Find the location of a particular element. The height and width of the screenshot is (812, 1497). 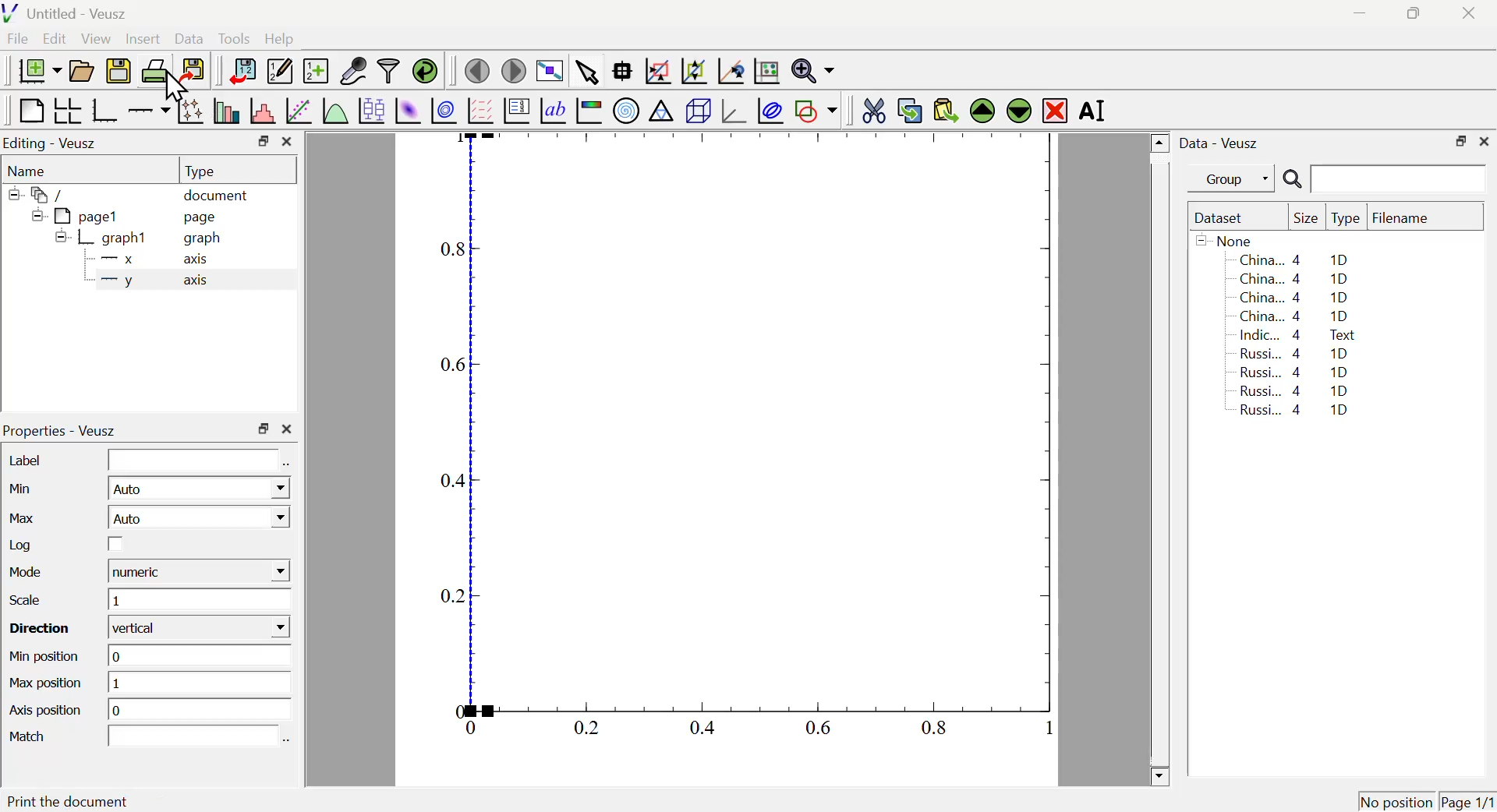

Graph is located at coordinates (737, 441).